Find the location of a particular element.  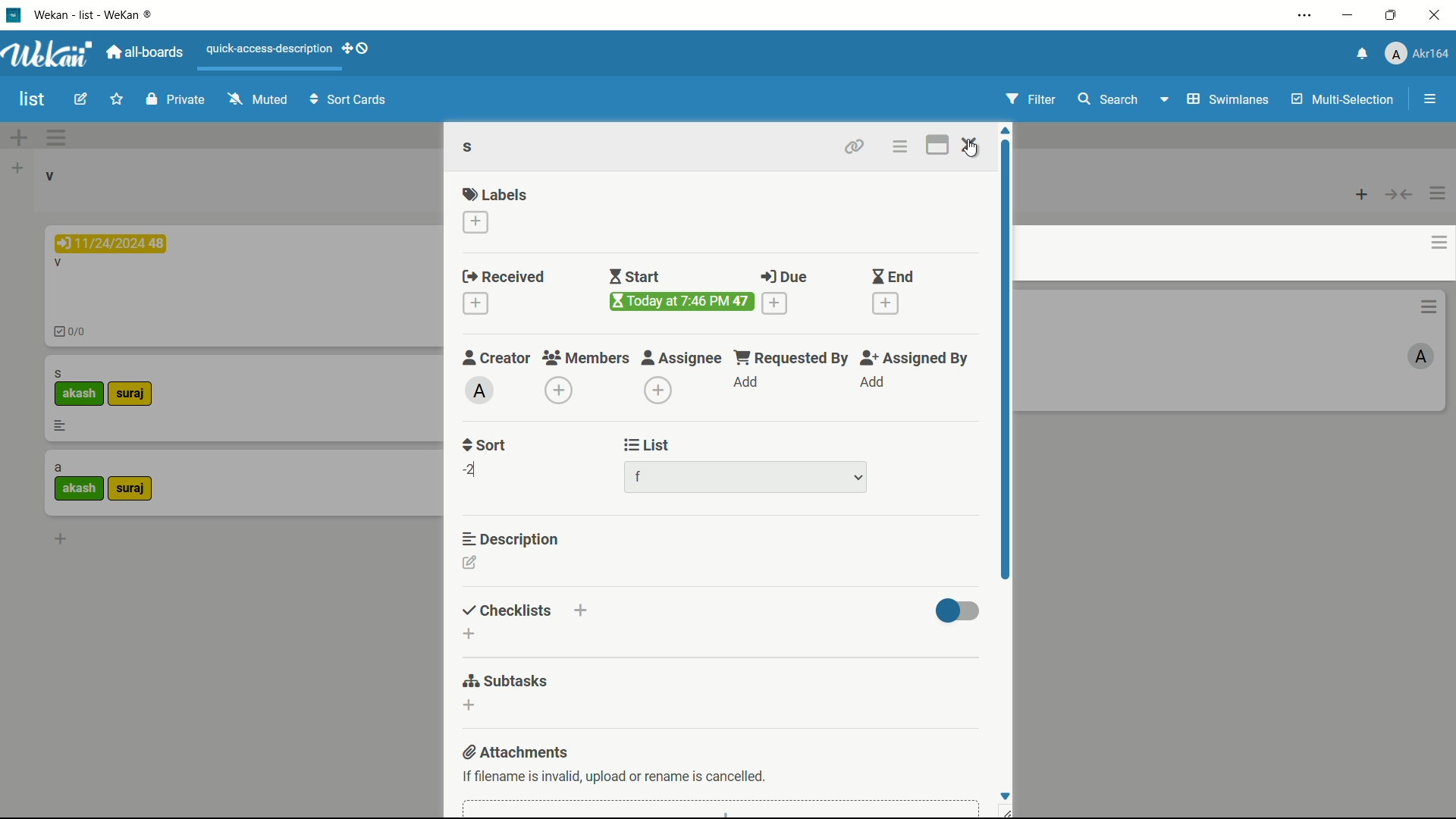

card actions is located at coordinates (900, 149).